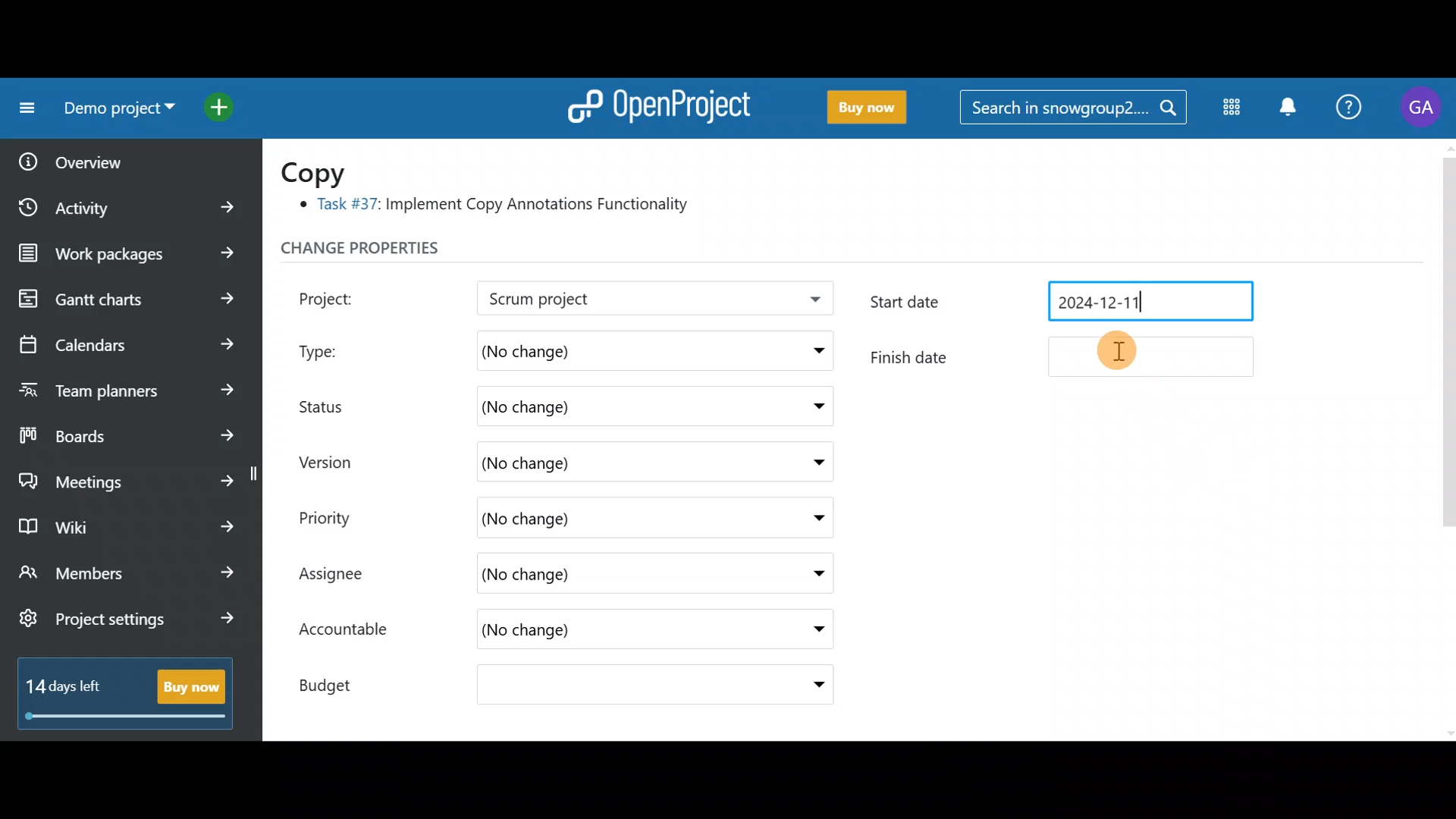 The height and width of the screenshot is (819, 1456). What do you see at coordinates (127, 575) in the screenshot?
I see `Members` at bounding box center [127, 575].